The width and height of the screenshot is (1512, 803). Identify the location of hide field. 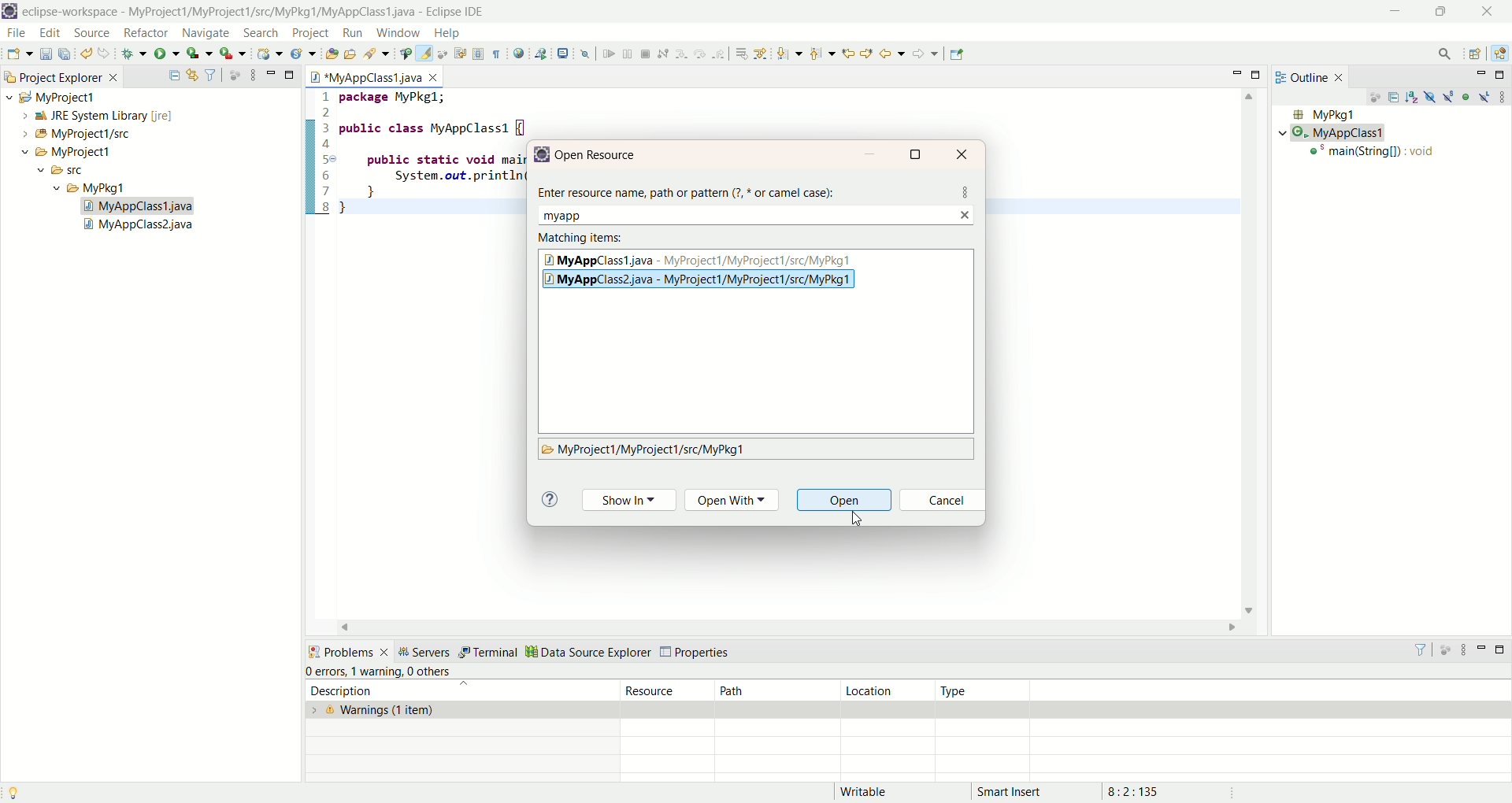
(1428, 96).